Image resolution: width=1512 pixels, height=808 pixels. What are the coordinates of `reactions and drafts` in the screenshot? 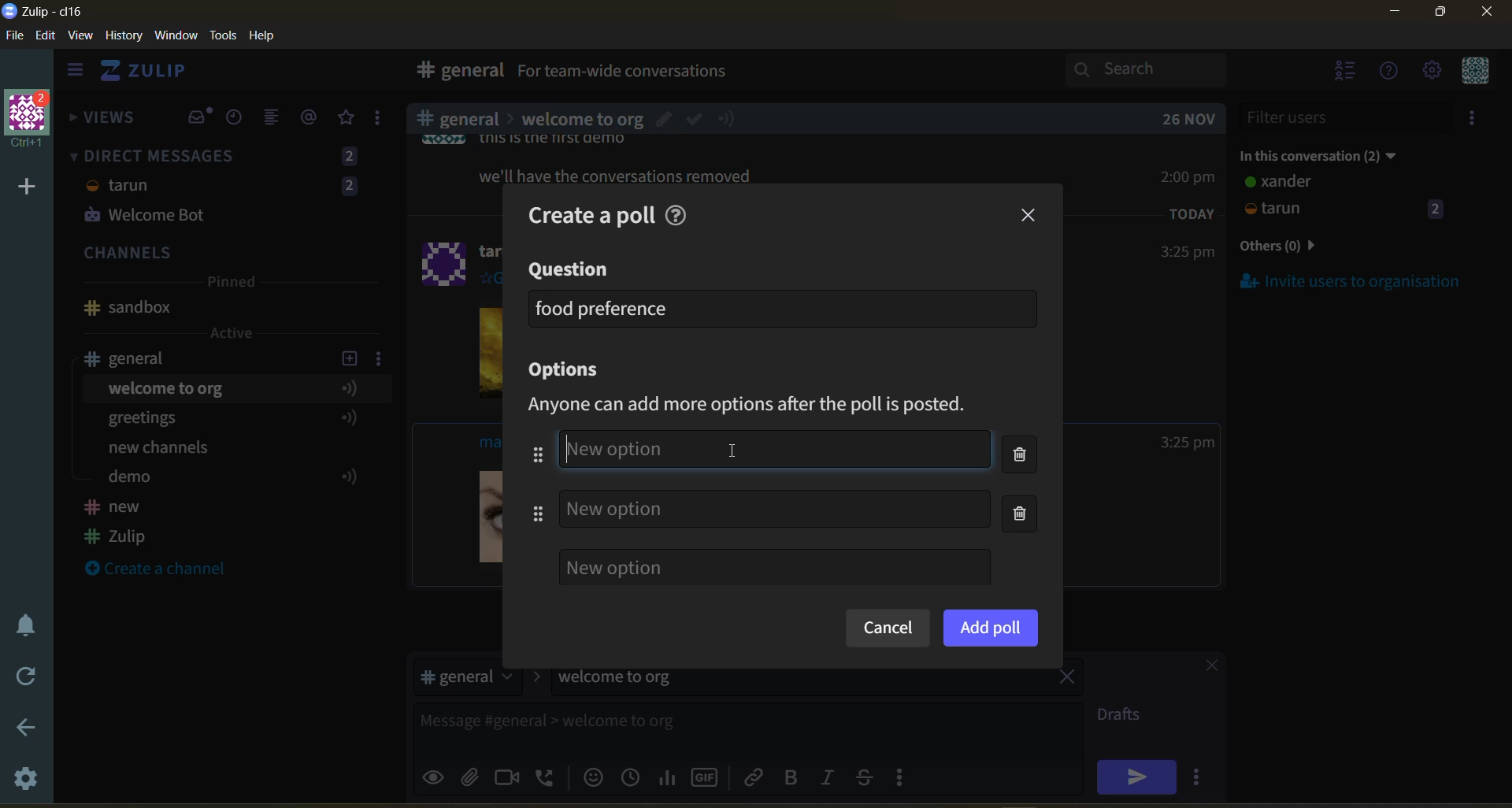 It's located at (384, 121).